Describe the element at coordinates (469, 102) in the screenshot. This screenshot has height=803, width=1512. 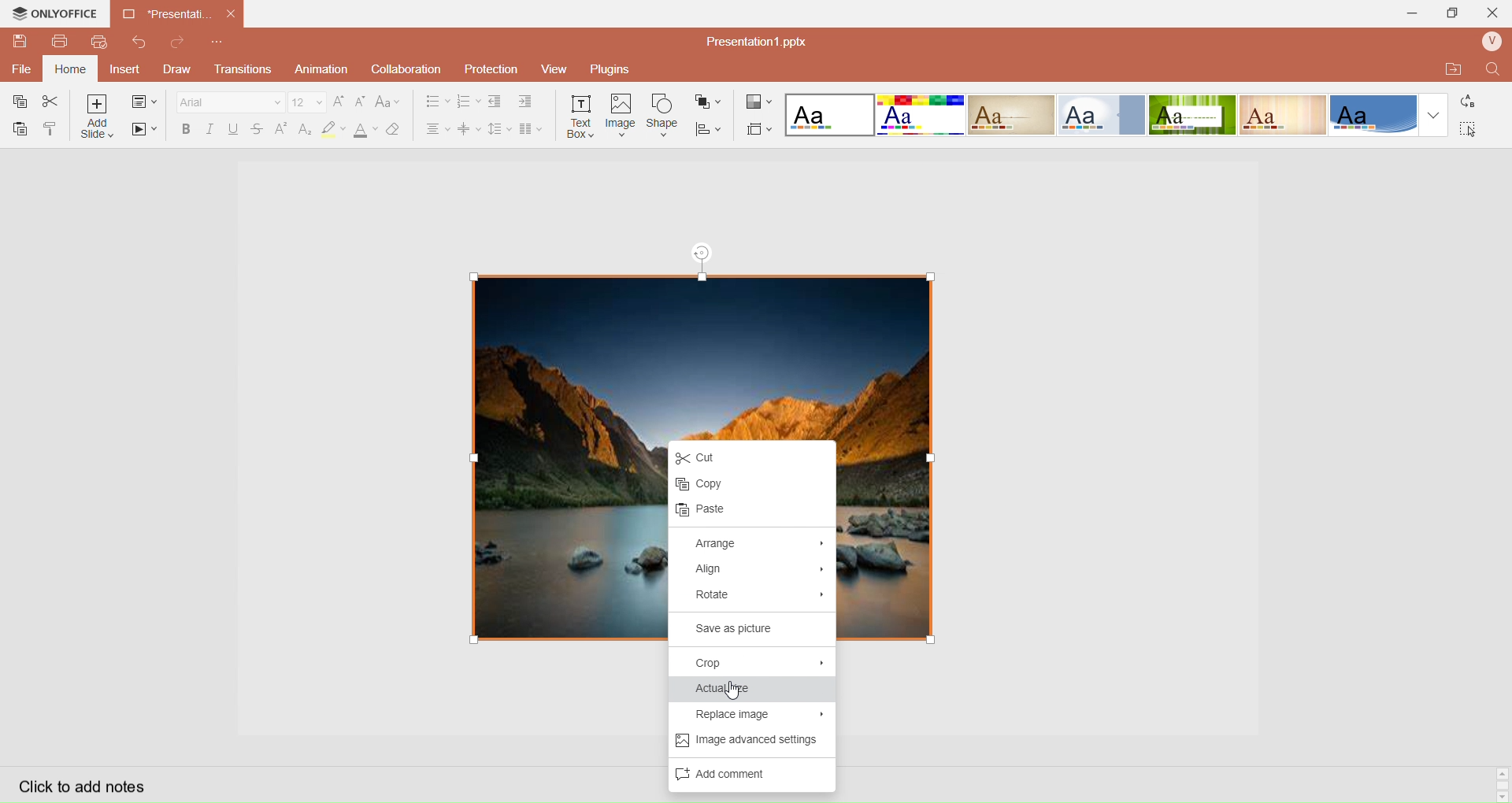
I see `Numbering` at that location.